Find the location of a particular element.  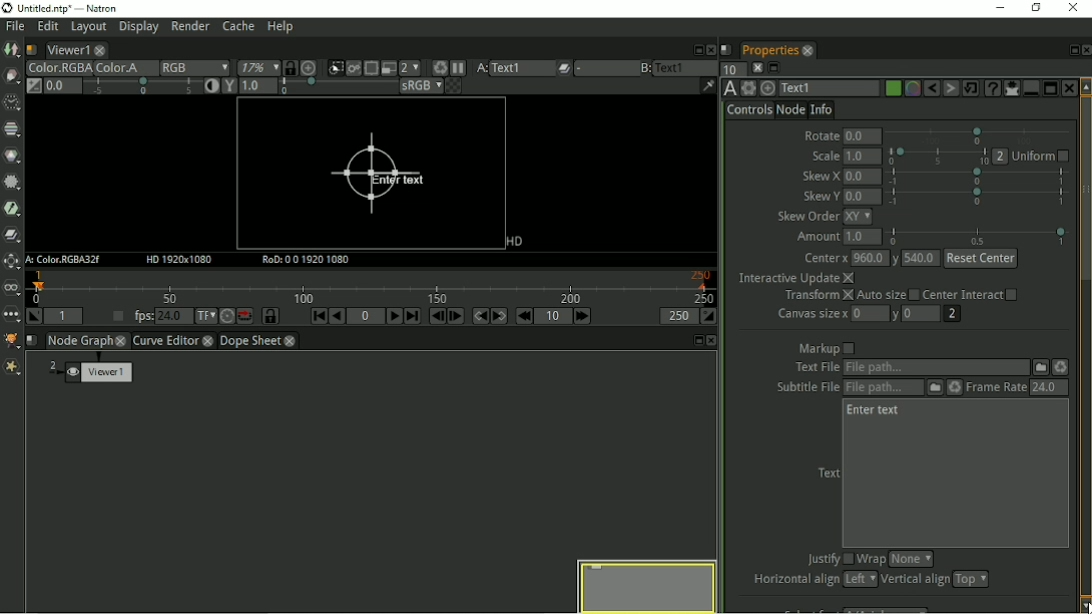

title is located at coordinates (72, 8).